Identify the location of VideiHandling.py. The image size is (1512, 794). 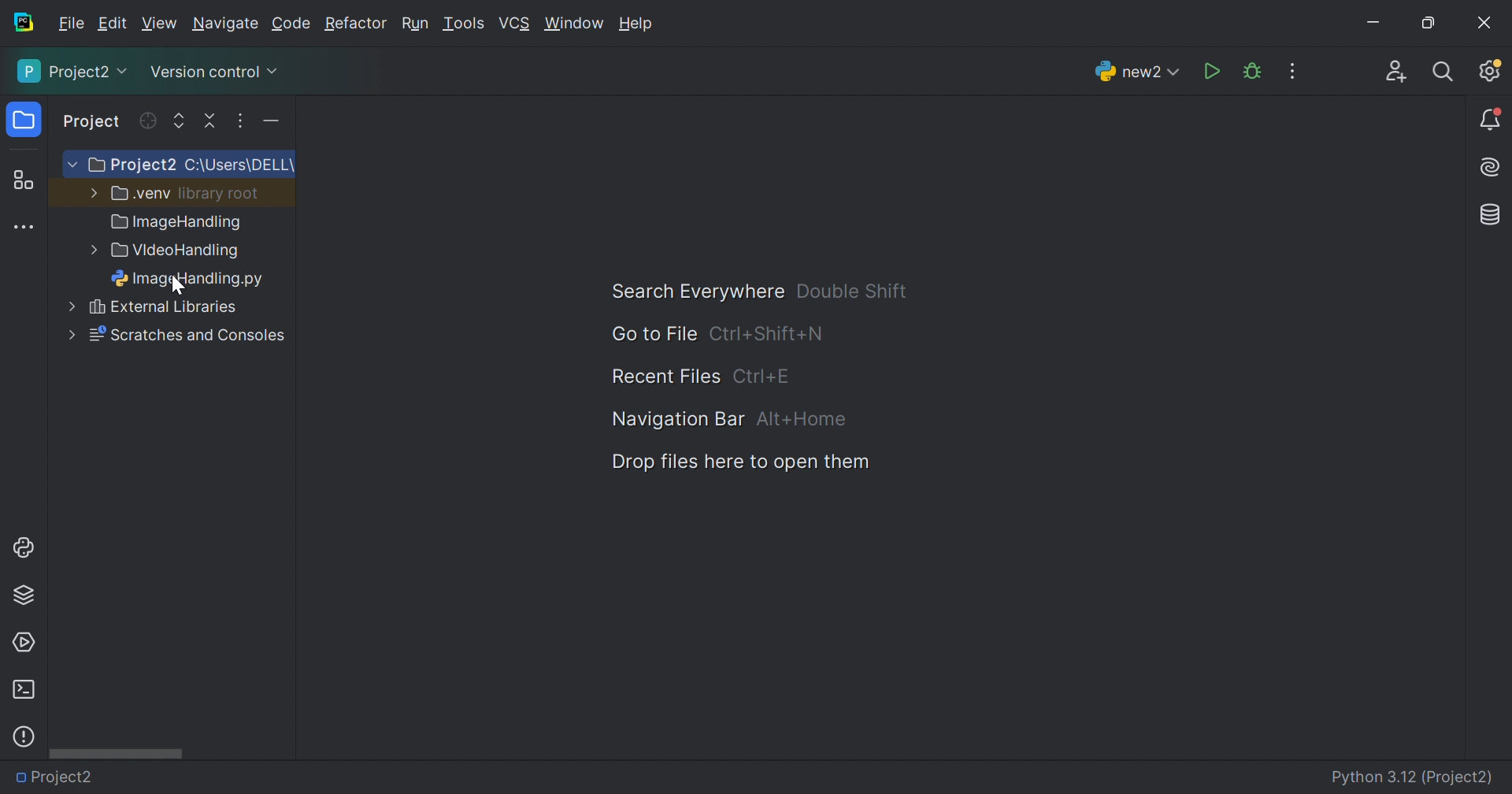
(180, 309).